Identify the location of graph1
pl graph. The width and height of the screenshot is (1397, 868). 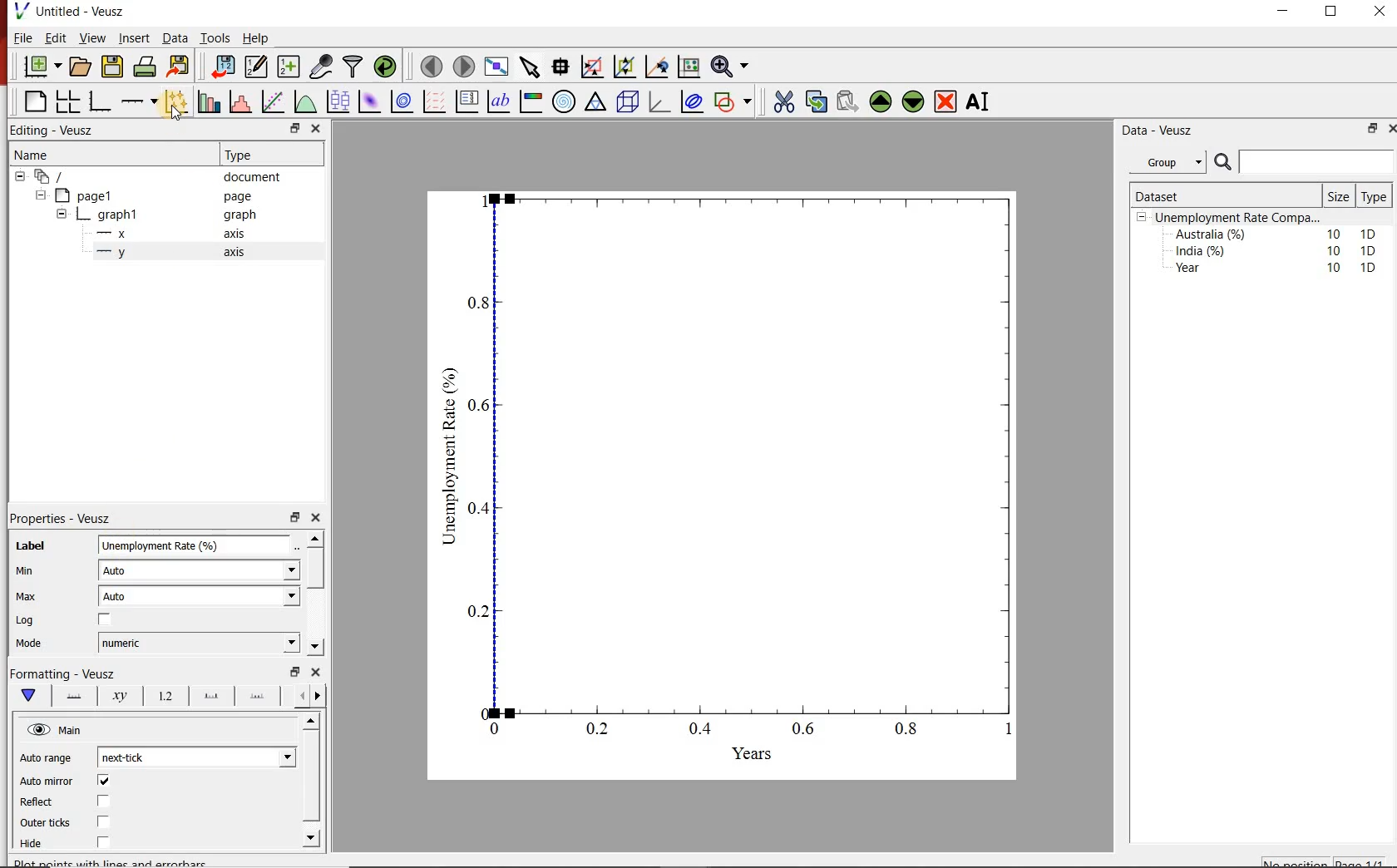
(172, 215).